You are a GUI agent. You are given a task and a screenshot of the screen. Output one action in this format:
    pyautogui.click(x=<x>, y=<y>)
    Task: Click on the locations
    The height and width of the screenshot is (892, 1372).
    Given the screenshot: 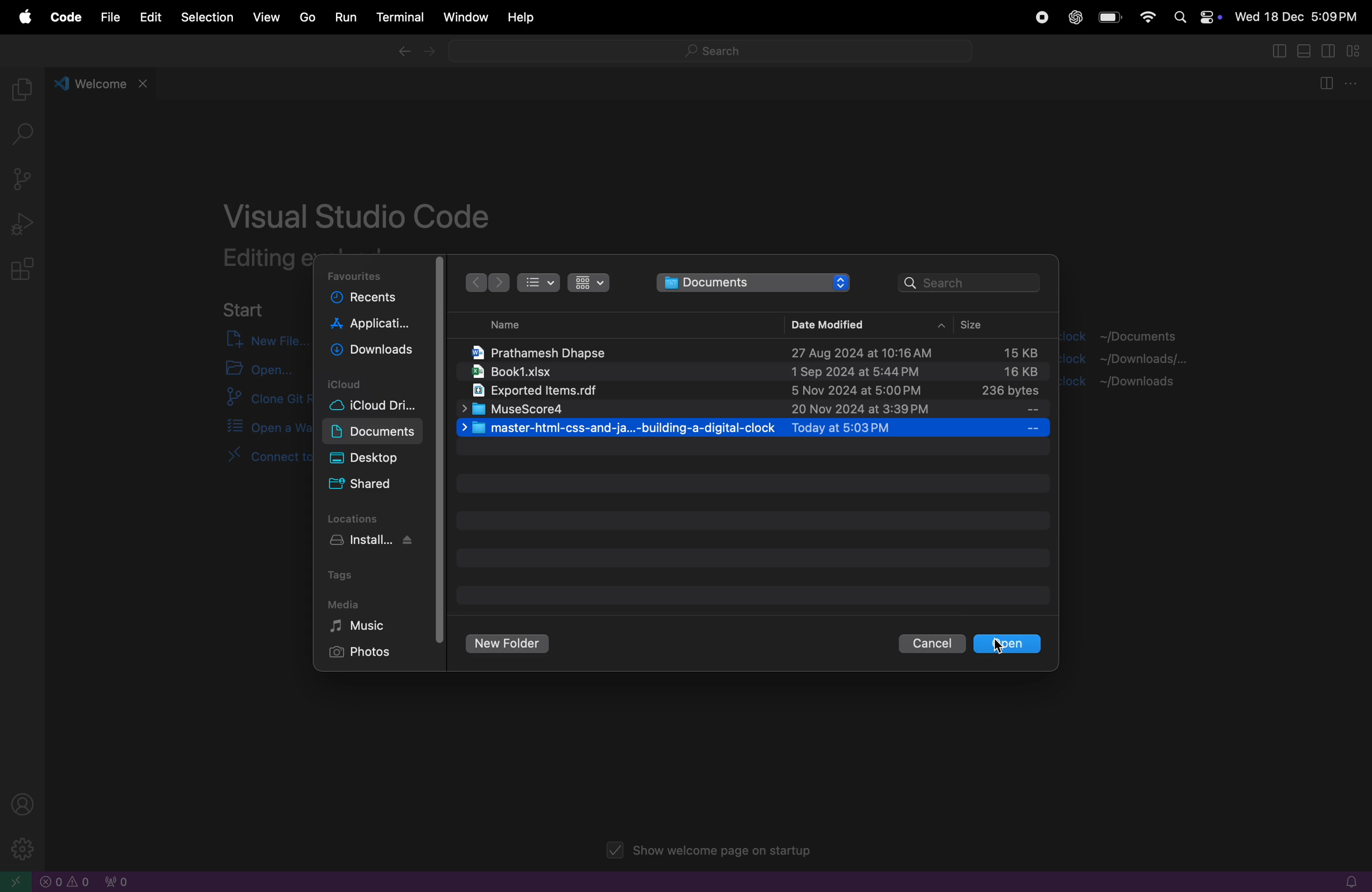 What is the action you would take?
    pyautogui.click(x=360, y=517)
    